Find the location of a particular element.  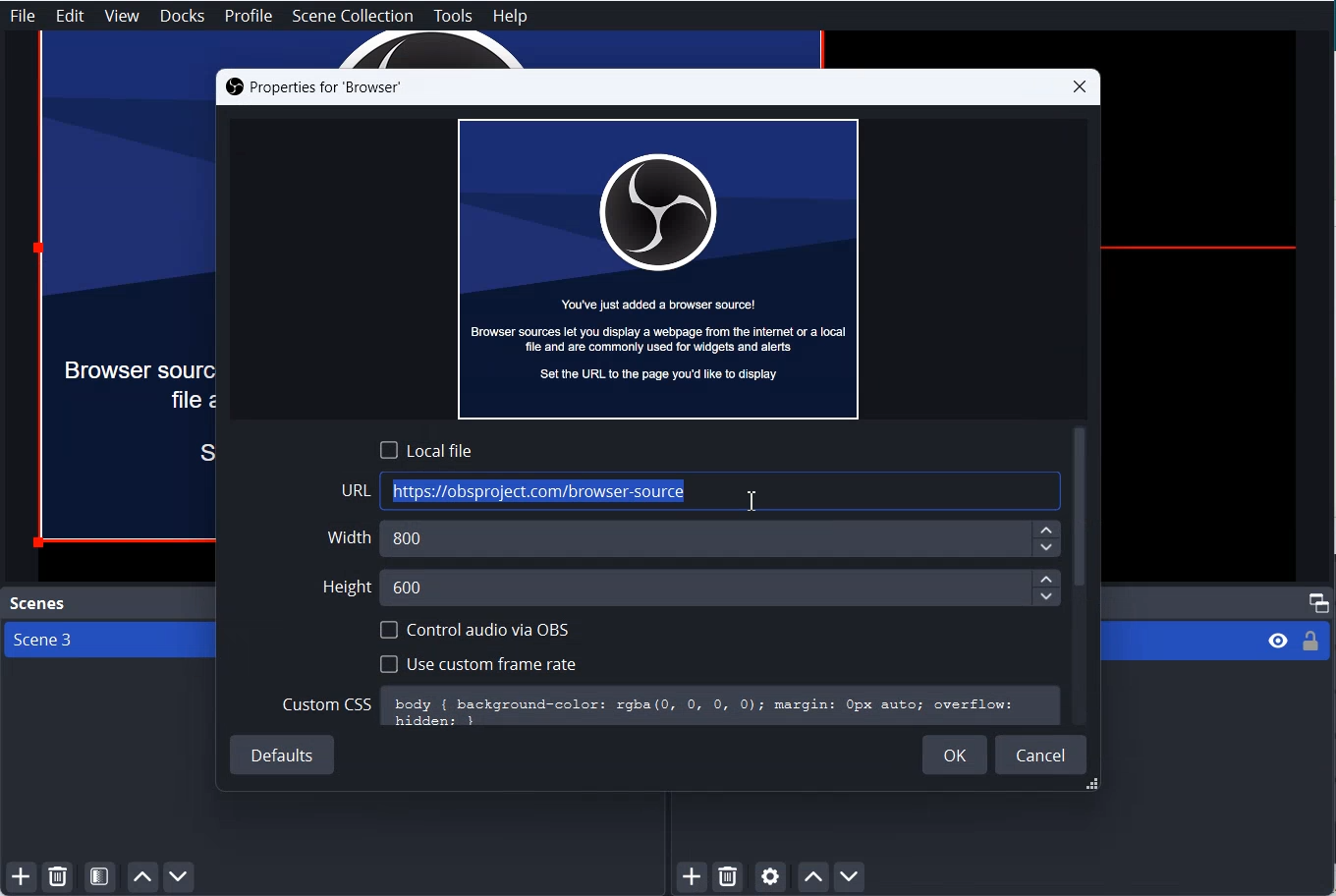

Vertical scroll bar is located at coordinates (1081, 509).